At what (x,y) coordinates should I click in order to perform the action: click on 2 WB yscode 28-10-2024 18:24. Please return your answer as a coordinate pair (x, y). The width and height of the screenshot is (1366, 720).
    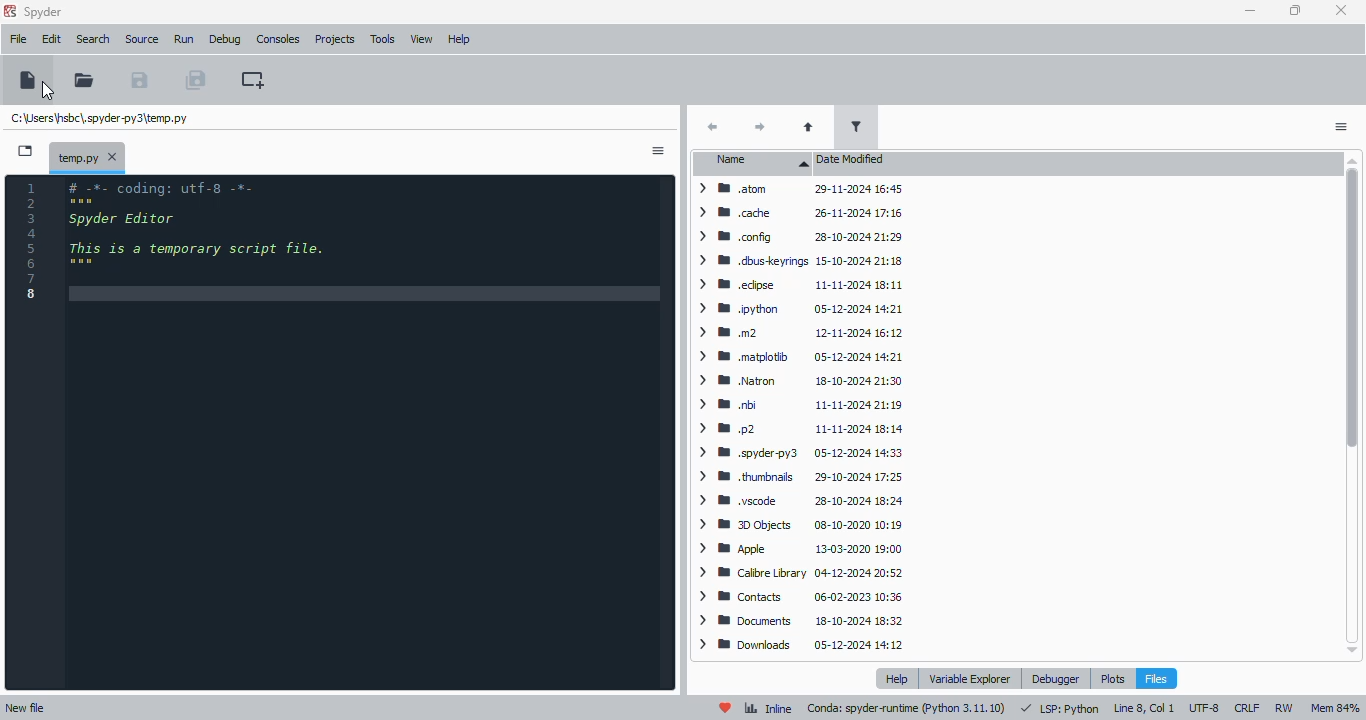
    Looking at the image, I should click on (798, 502).